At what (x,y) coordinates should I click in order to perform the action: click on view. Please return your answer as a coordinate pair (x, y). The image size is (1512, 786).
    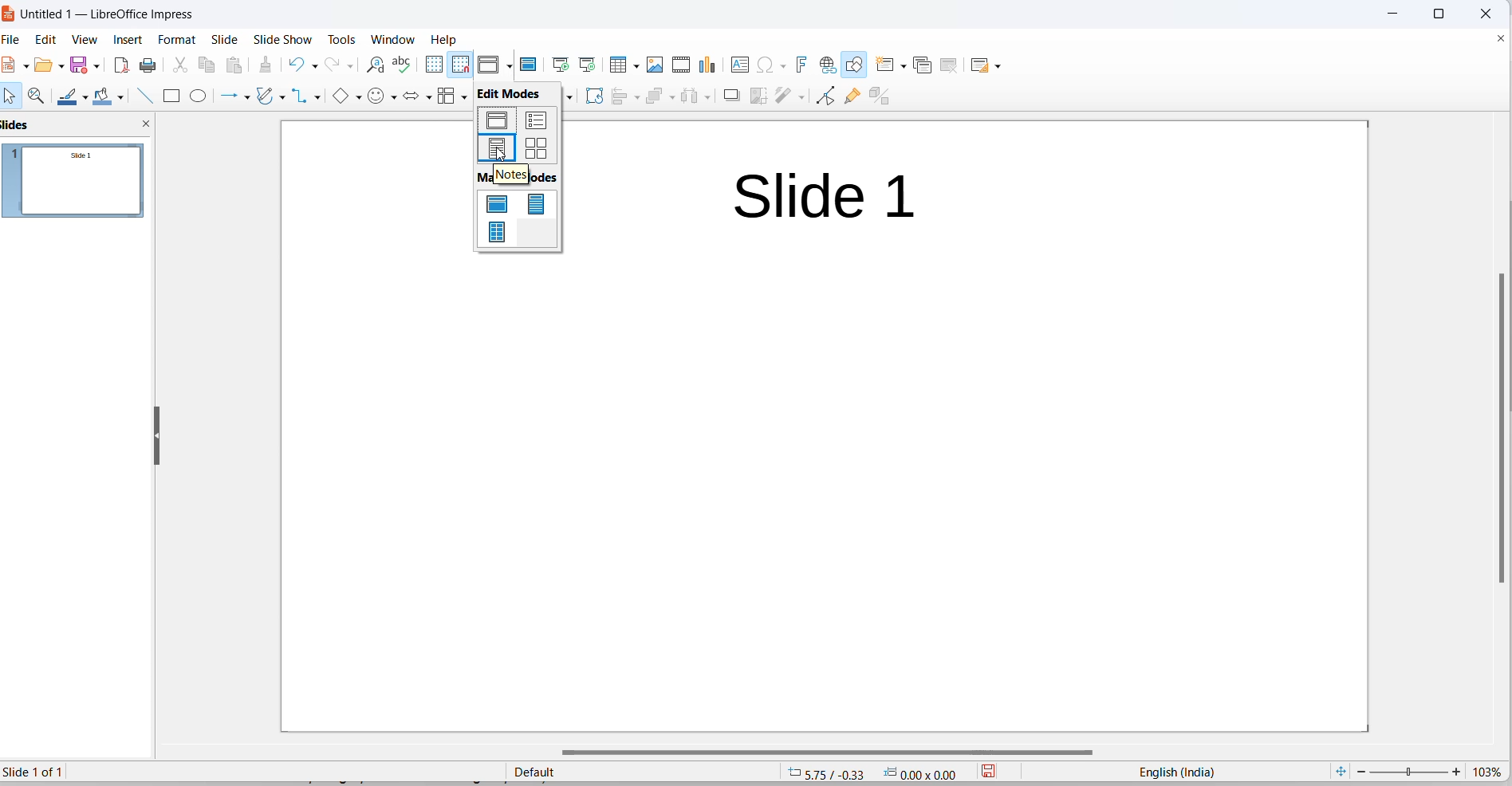
    Looking at the image, I should click on (86, 41).